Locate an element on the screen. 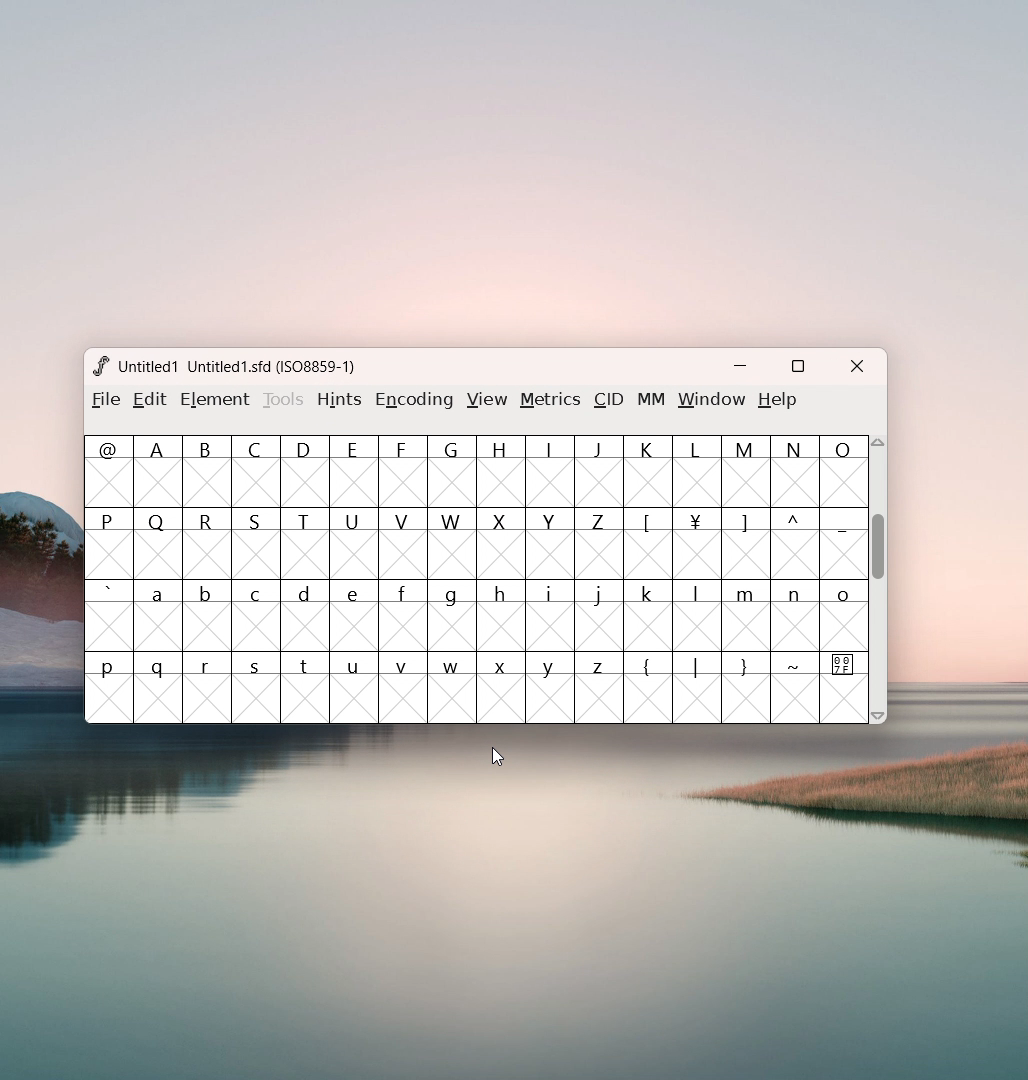 The height and width of the screenshot is (1080, 1028). G is located at coordinates (453, 471).